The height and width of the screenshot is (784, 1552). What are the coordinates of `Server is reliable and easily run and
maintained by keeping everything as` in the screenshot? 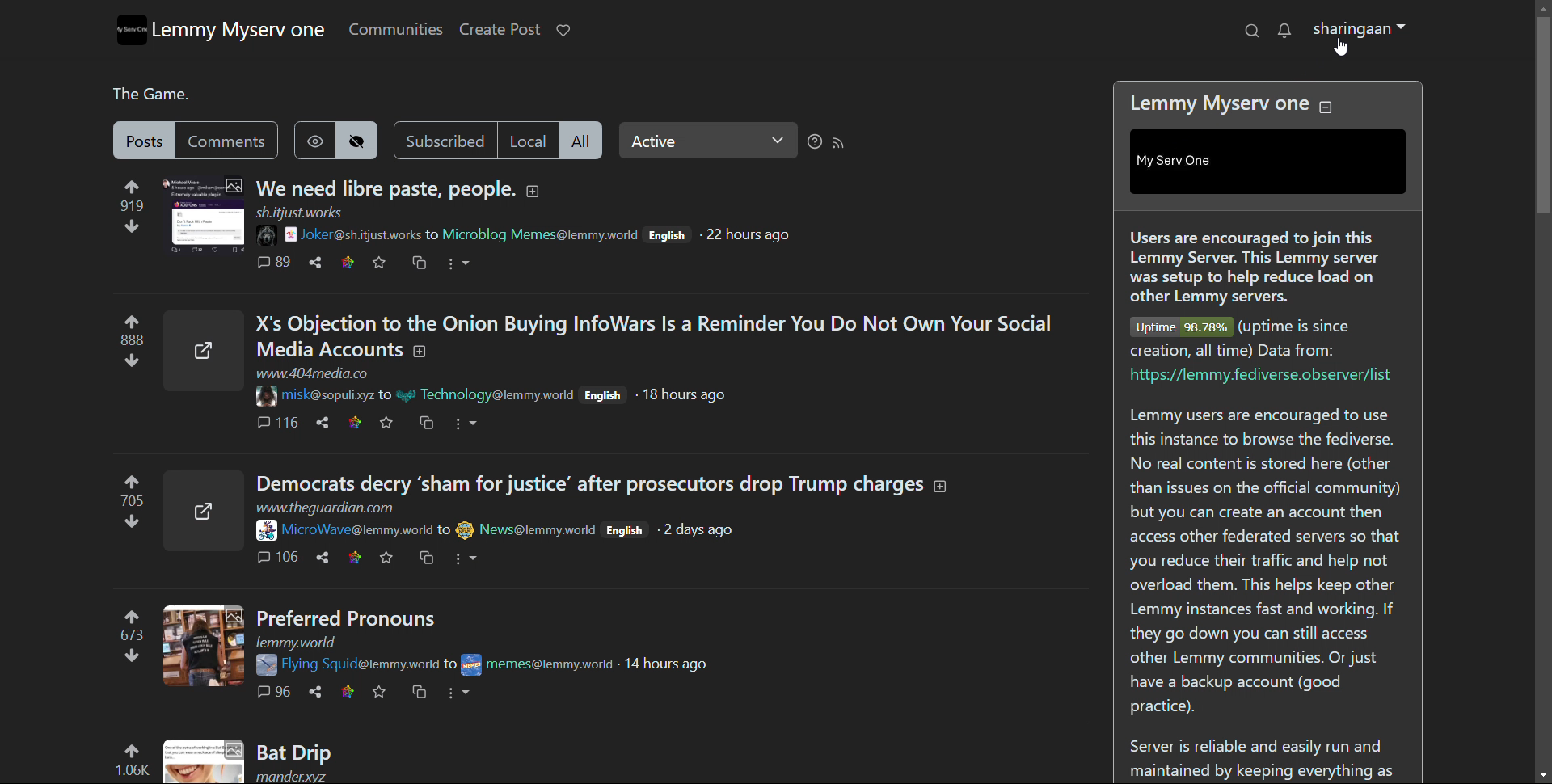 It's located at (1266, 757).